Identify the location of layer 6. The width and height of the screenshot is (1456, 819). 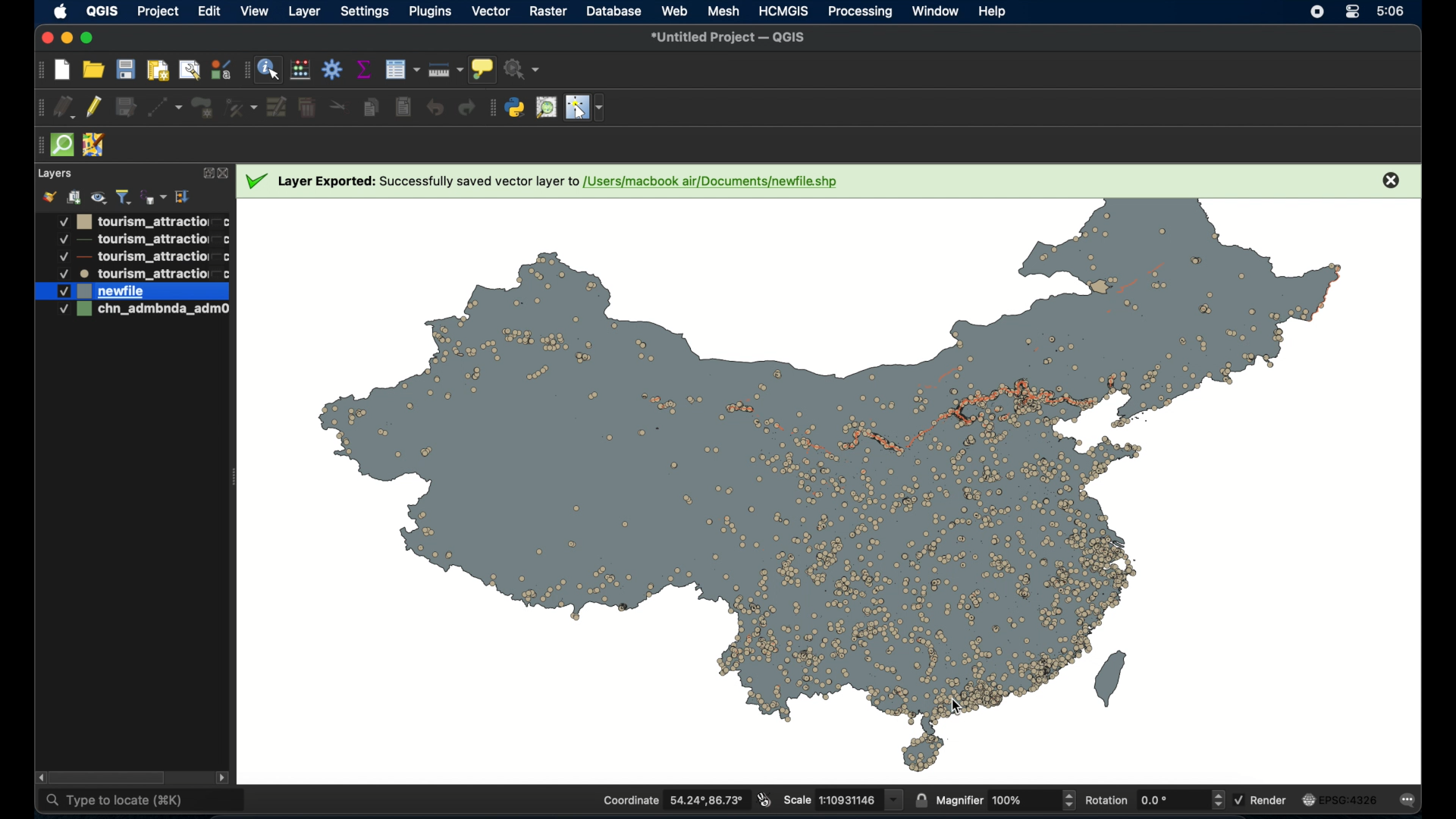
(132, 312).